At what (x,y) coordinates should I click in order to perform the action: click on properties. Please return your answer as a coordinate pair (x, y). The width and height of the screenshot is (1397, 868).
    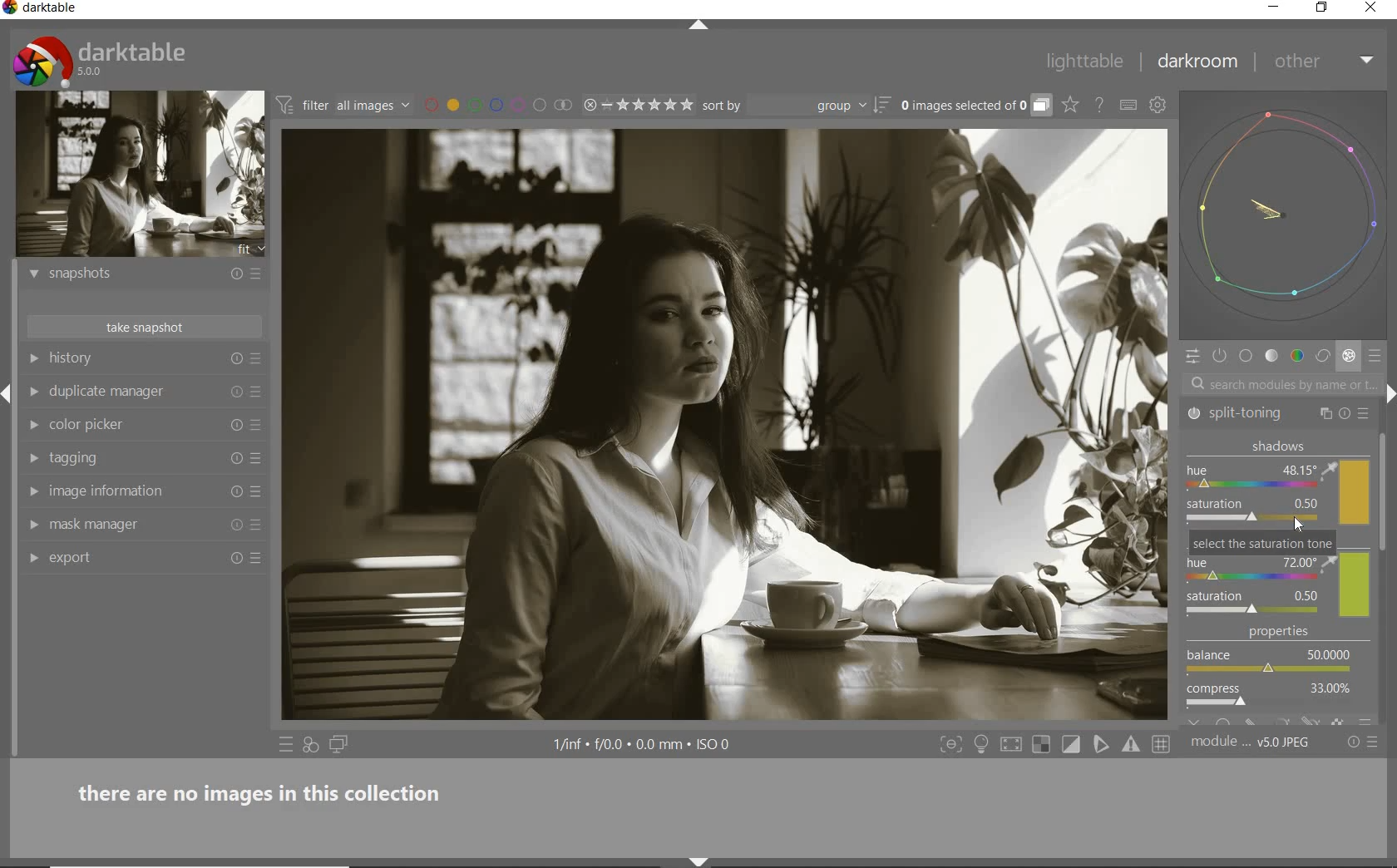
    Looking at the image, I should click on (1276, 675).